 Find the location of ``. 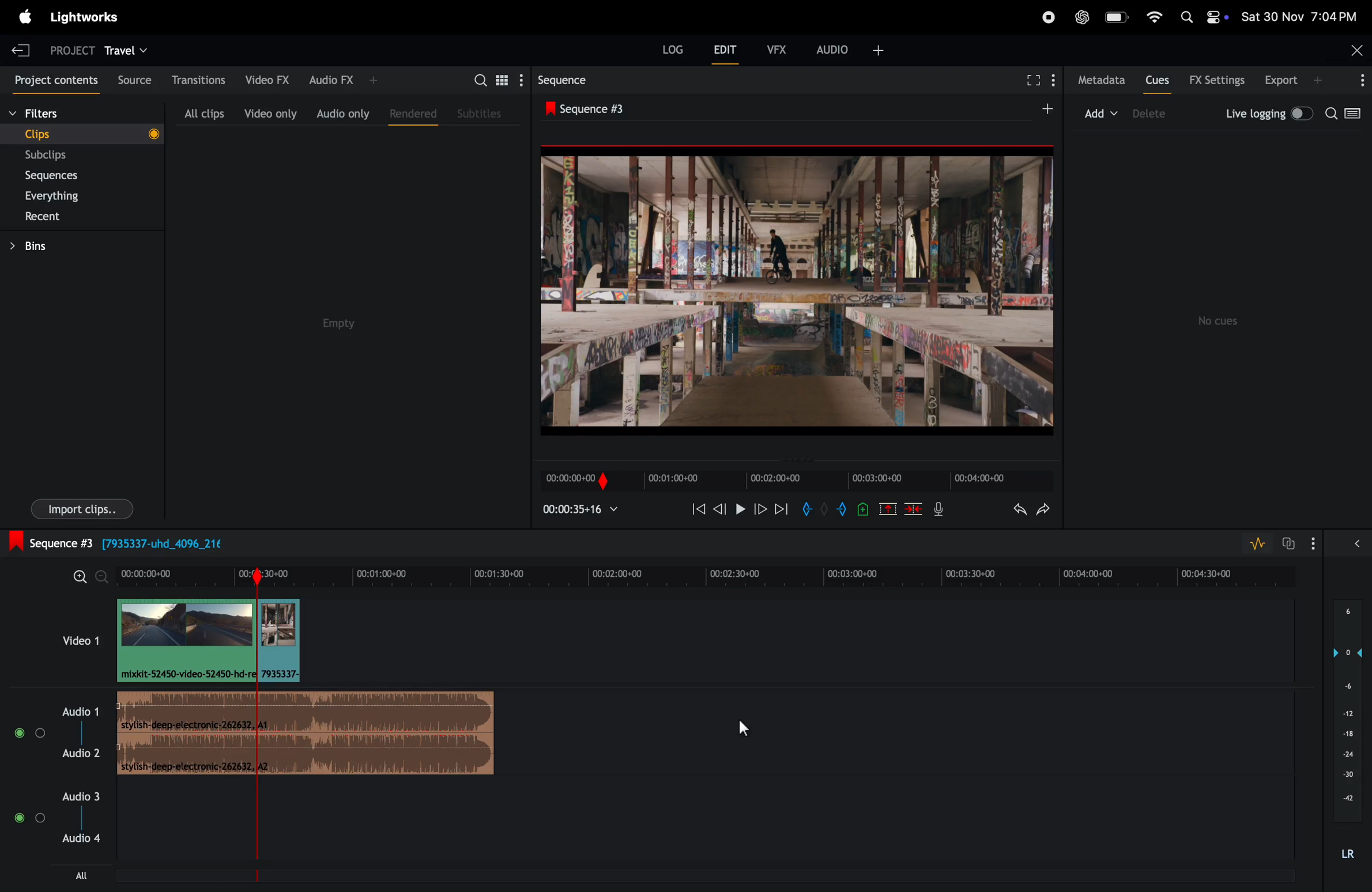

 is located at coordinates (803, 510).